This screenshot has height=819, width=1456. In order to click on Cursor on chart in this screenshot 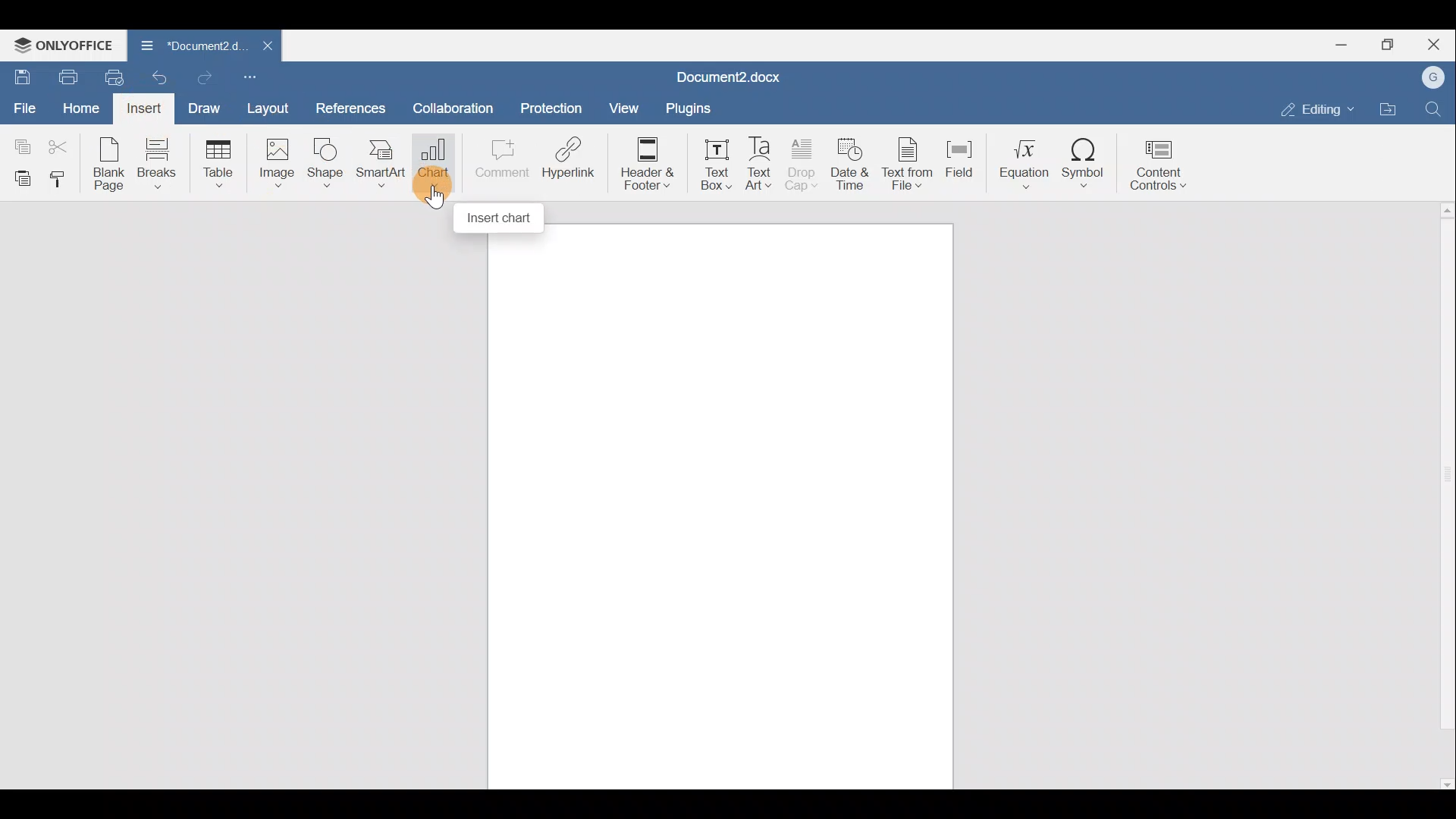, I will do `click(431, 187)`.